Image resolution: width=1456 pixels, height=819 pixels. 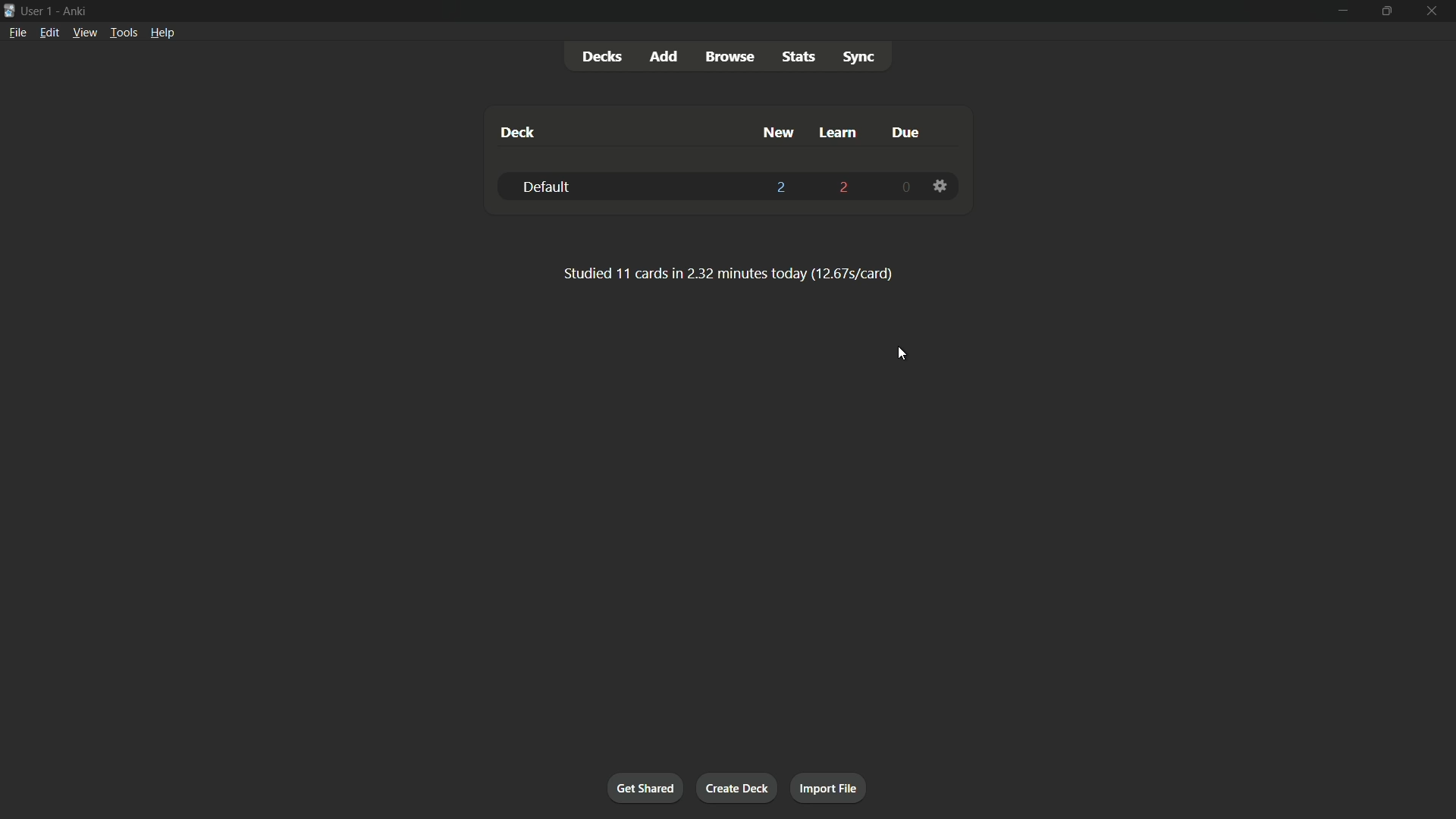 What do you see at coordinates (603, 58) in the screenshot?
I see `decks` at bounding box center [603, 58].